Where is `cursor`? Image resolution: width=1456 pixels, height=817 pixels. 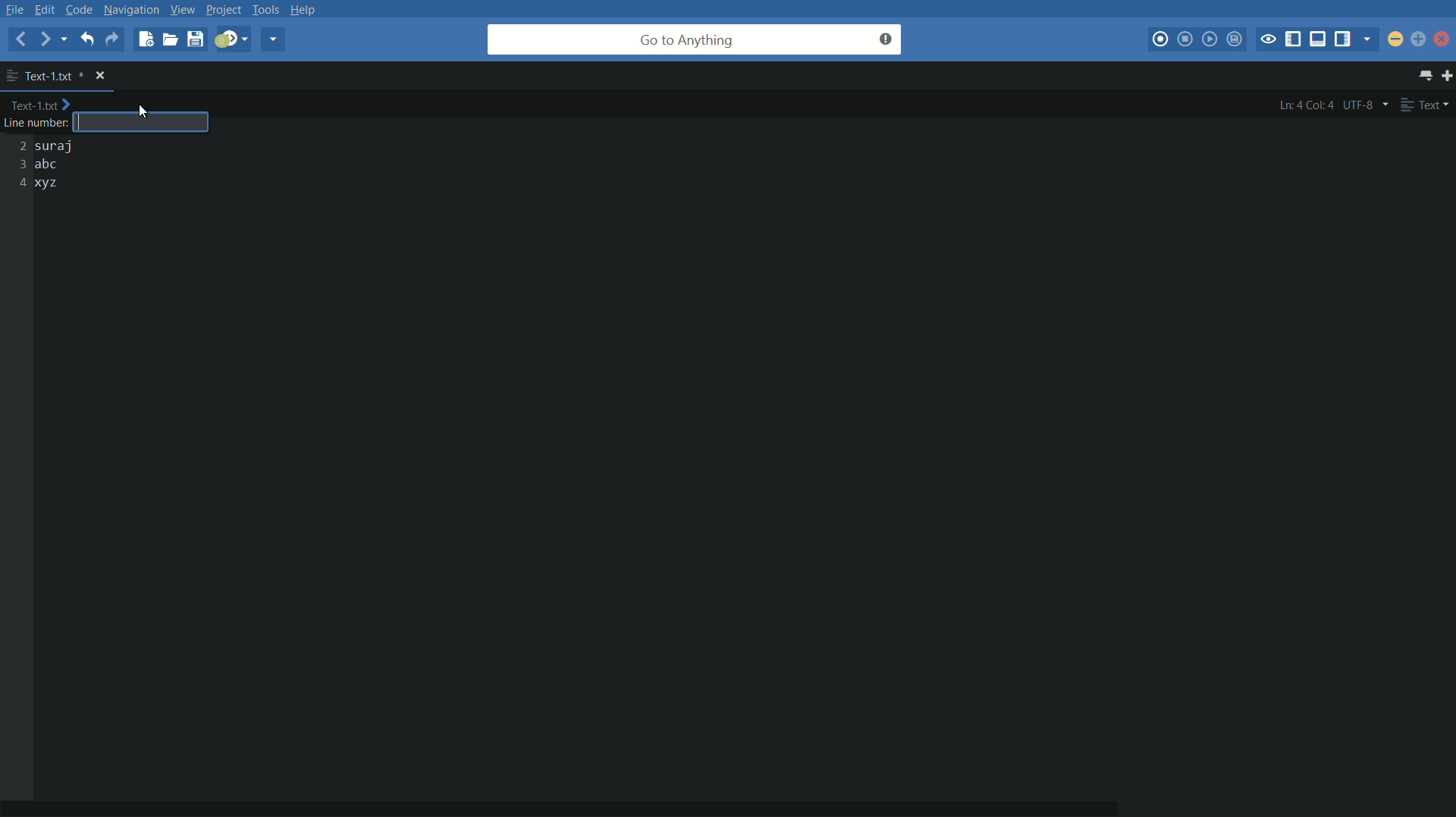
cursor is located at coordinates (147, 109).